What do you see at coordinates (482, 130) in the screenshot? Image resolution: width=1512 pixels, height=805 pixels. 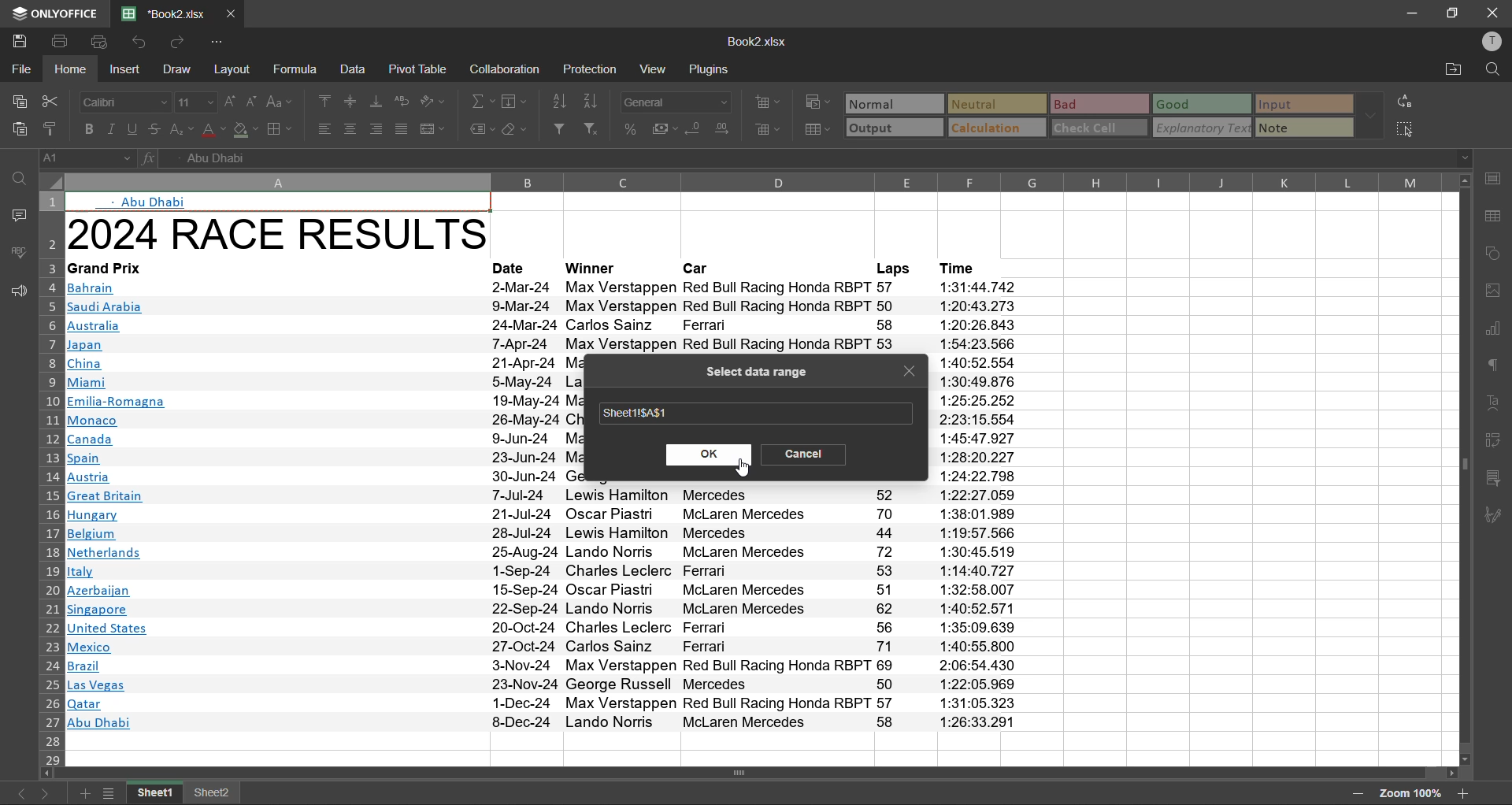 I see `named ranges` at bounding box center [482, 130].